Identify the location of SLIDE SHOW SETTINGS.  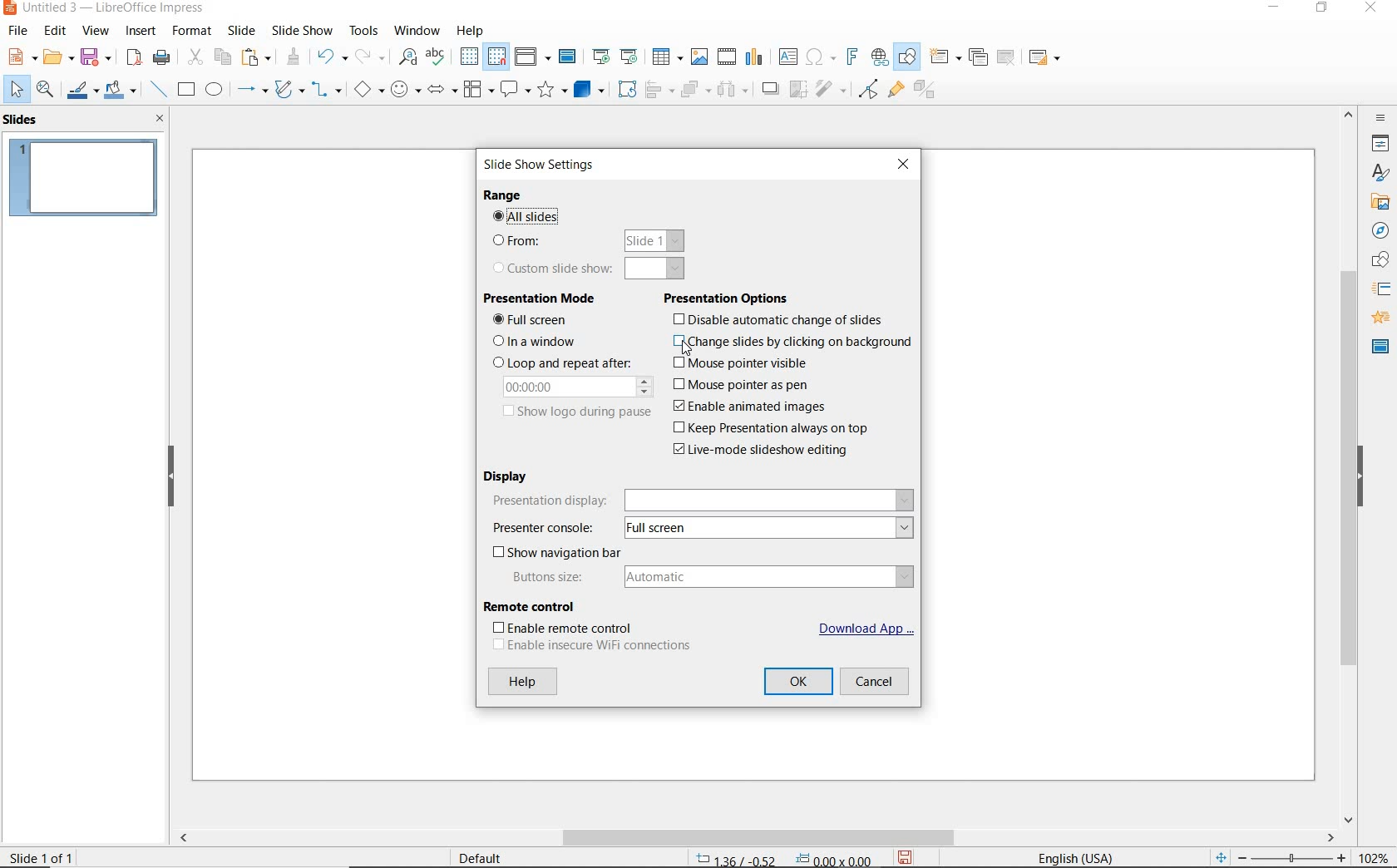
(555, 165).